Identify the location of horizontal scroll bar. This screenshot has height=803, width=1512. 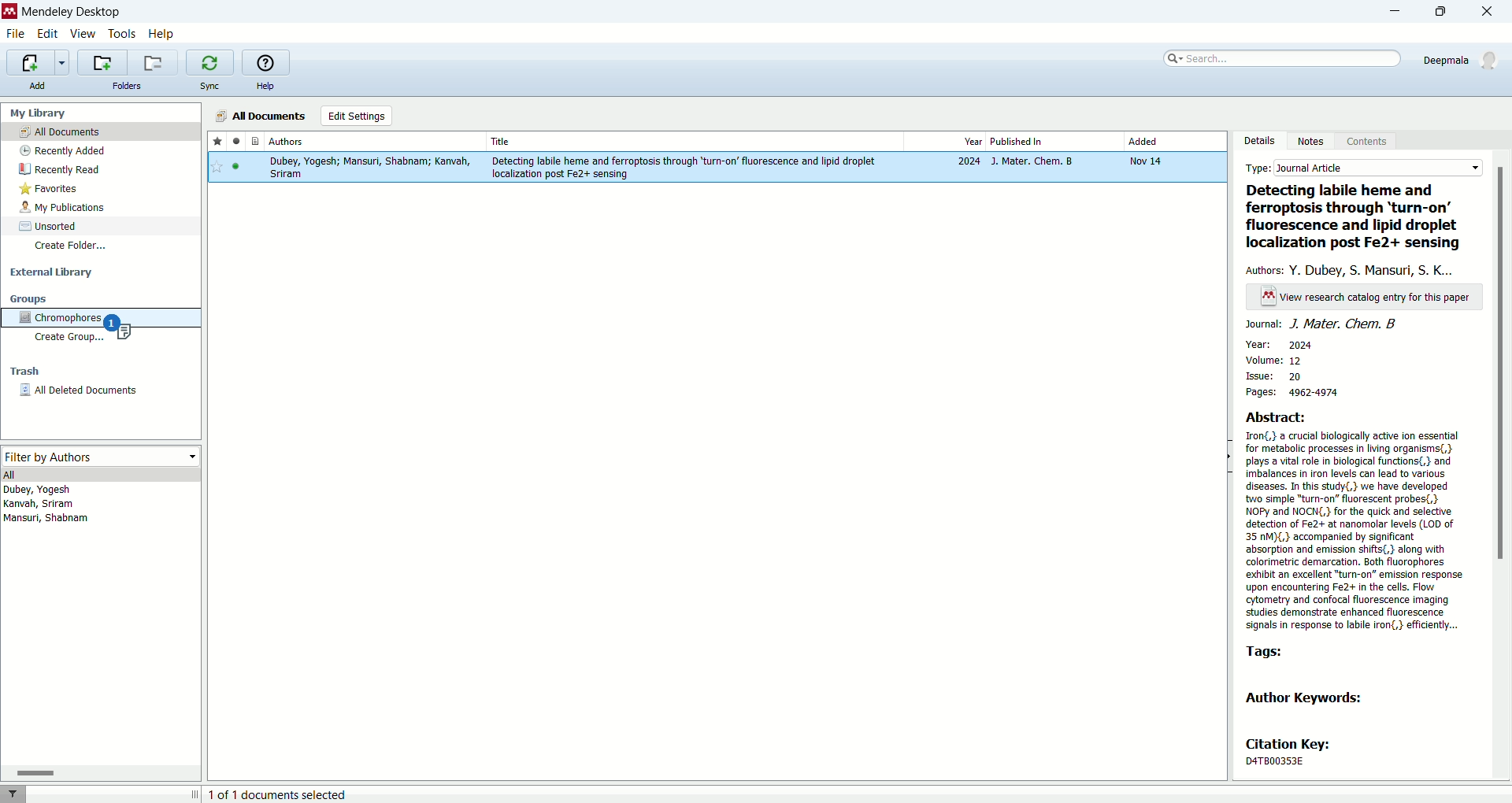
(100, 773).